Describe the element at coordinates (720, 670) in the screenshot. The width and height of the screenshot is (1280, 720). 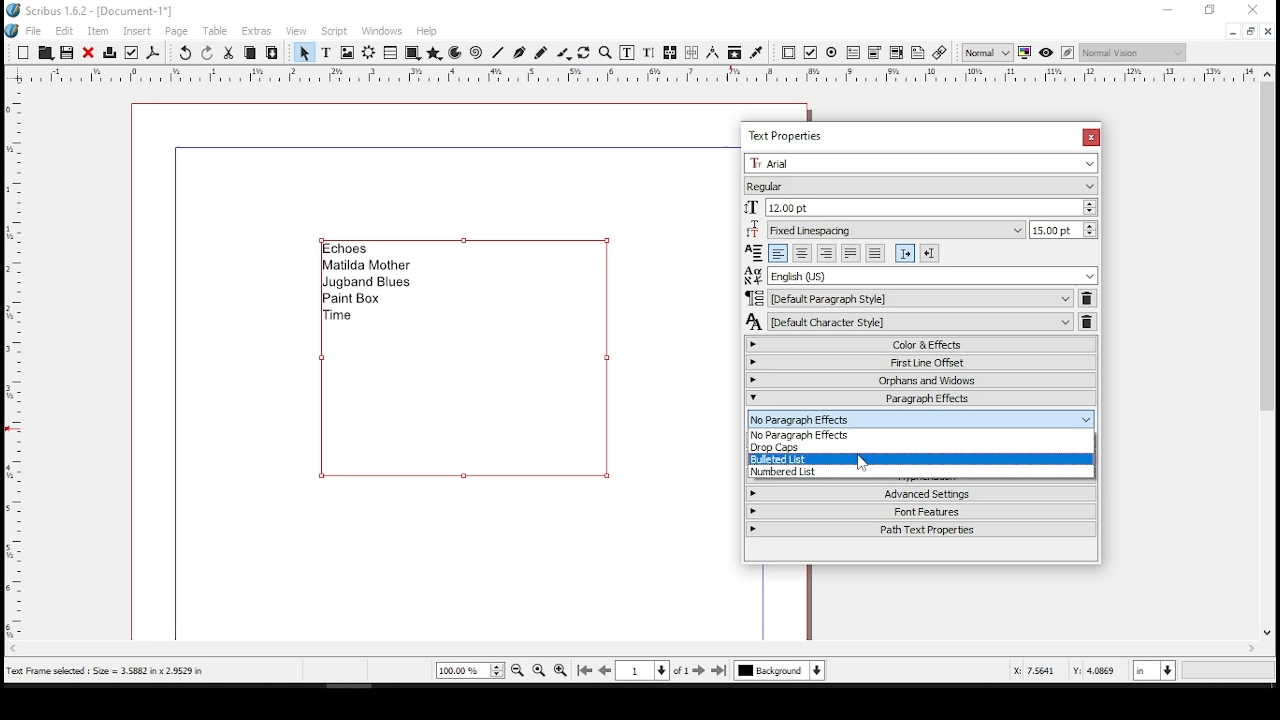
I see `last page` at that location.